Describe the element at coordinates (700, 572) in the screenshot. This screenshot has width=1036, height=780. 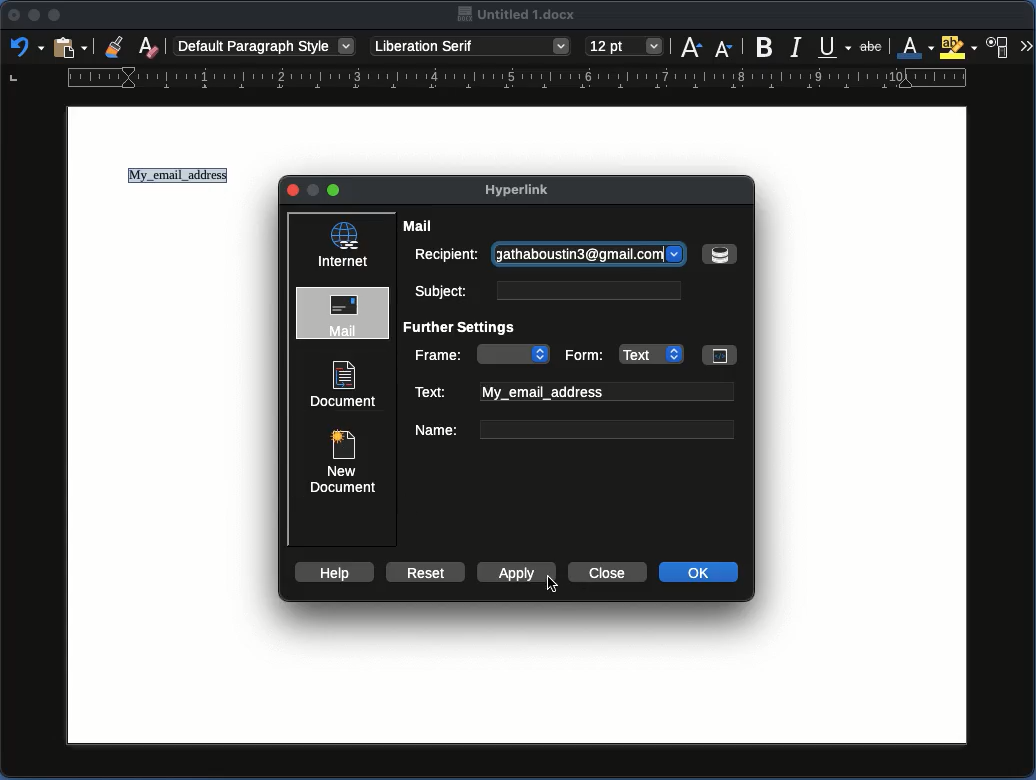
I see `OK` at that location.